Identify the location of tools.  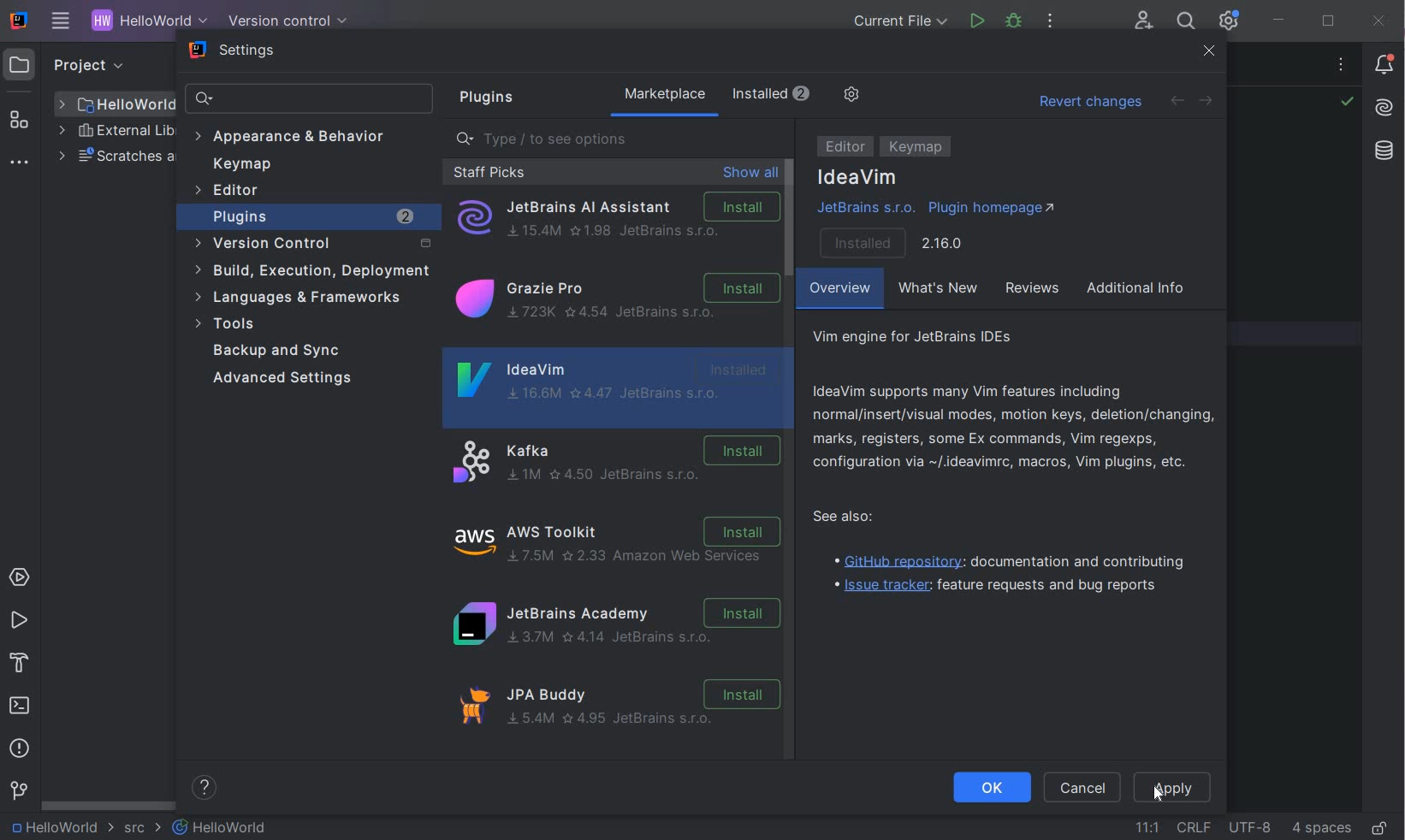
(303, 324).